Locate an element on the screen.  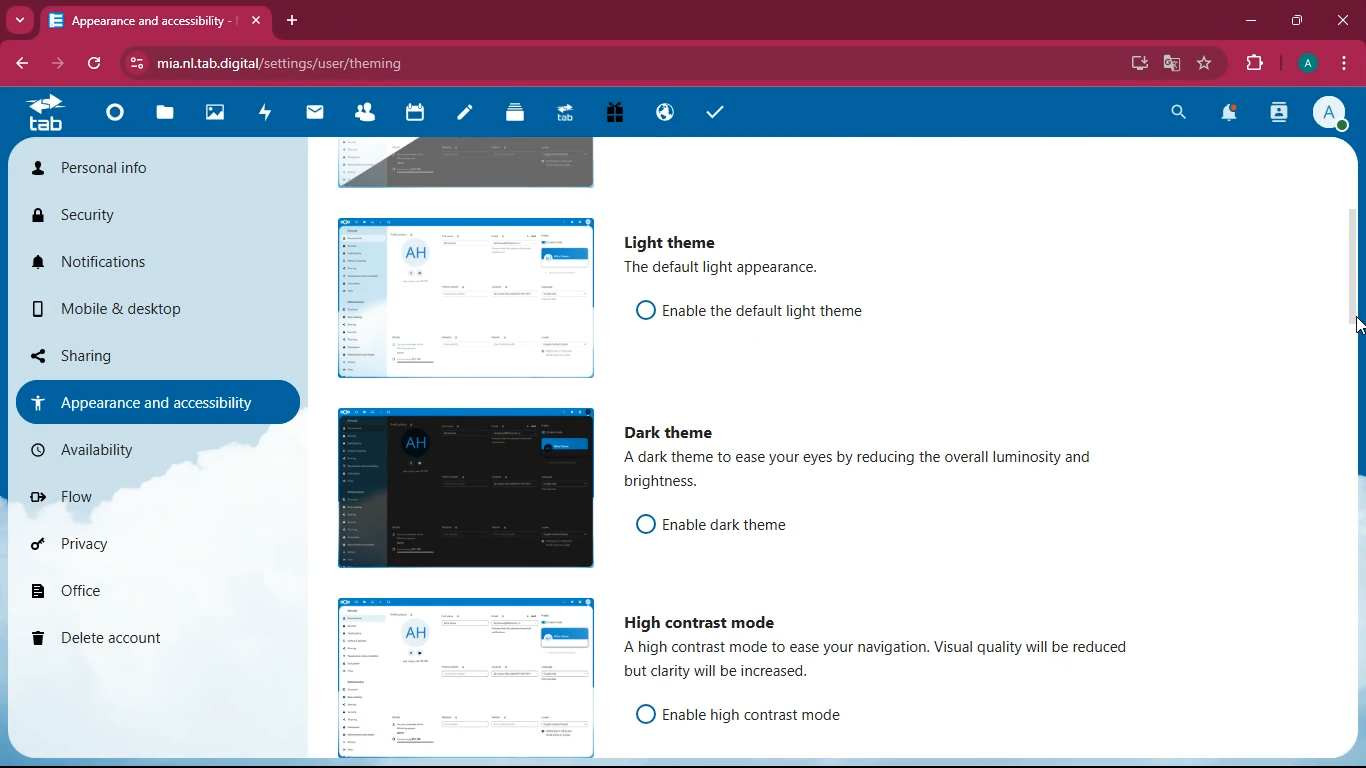
description is located at coordinates (884, 662).